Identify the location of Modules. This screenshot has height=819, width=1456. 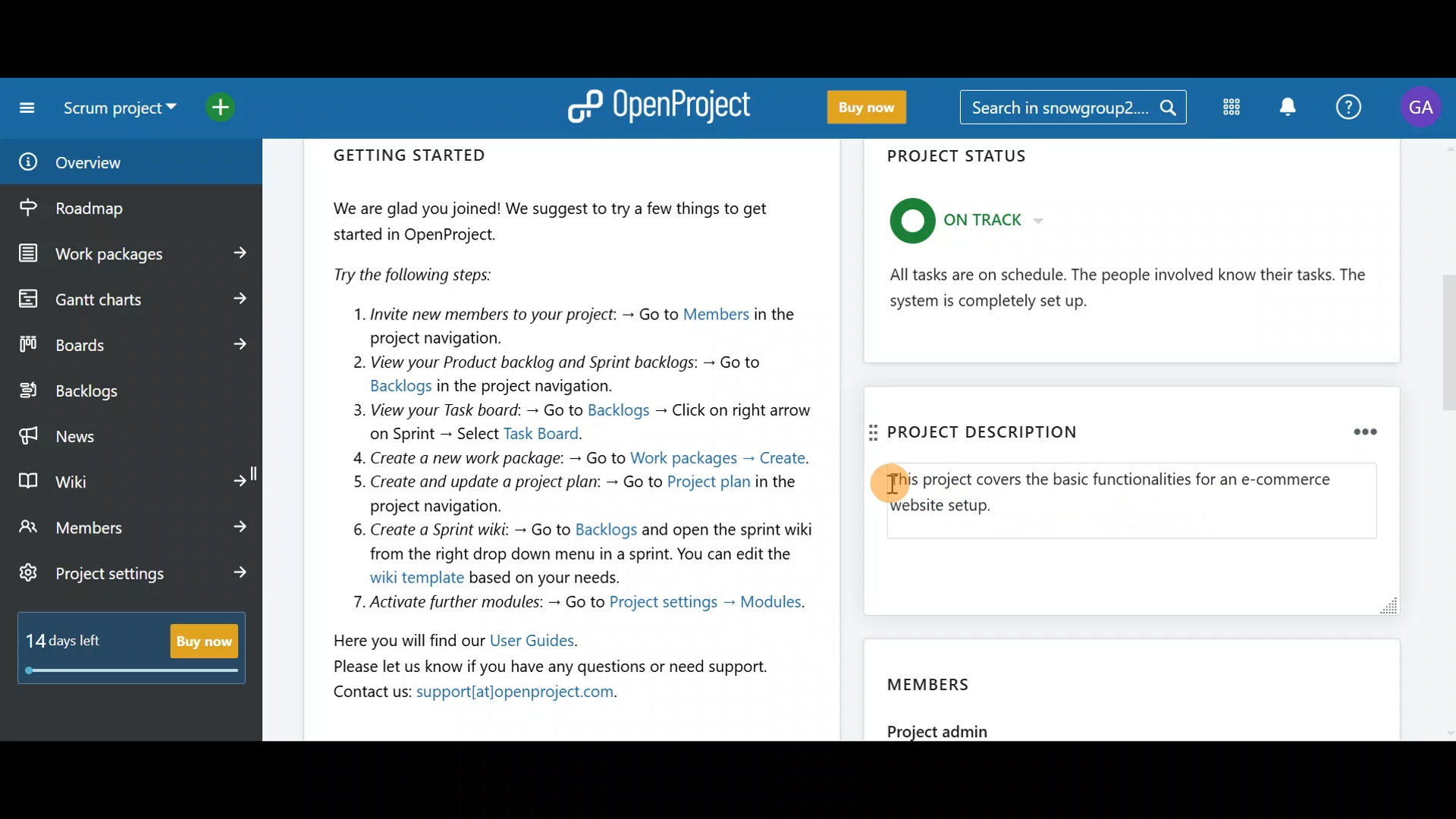
(1228, 111).